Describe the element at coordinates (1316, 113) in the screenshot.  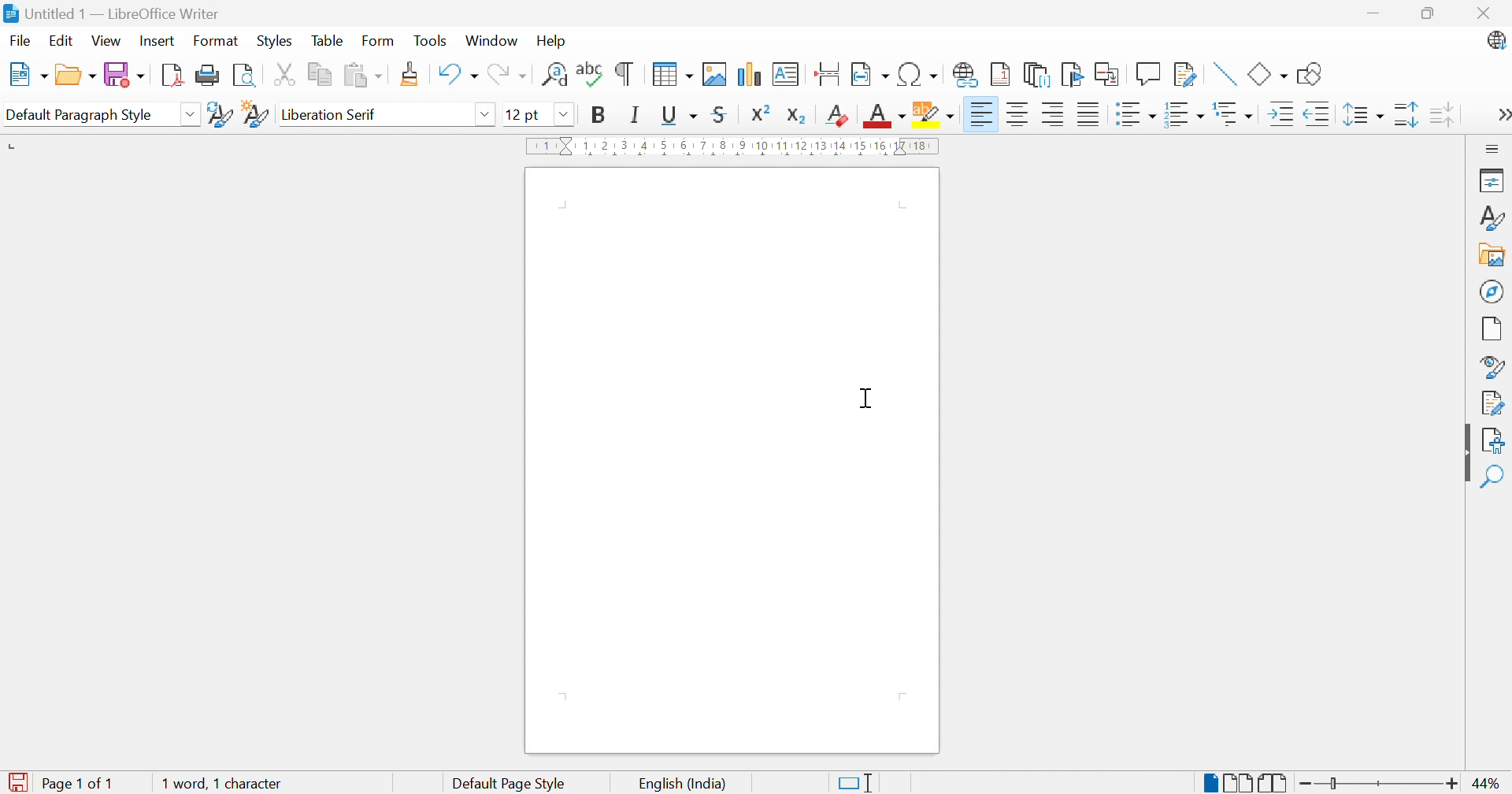
I see `Decrease indent` at that location.